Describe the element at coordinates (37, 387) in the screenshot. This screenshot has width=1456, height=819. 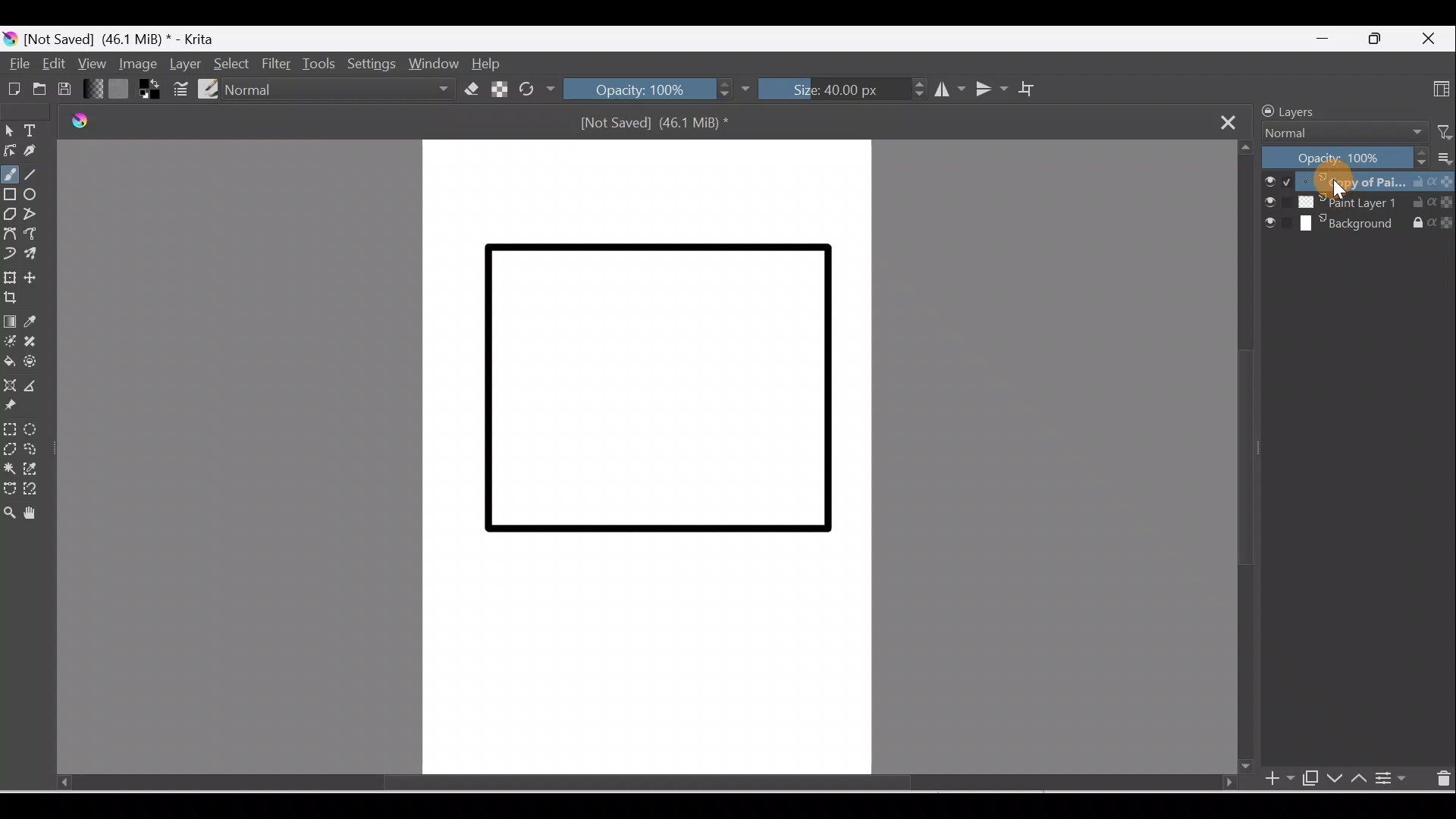
I see `Measure distance between two points` at that location.